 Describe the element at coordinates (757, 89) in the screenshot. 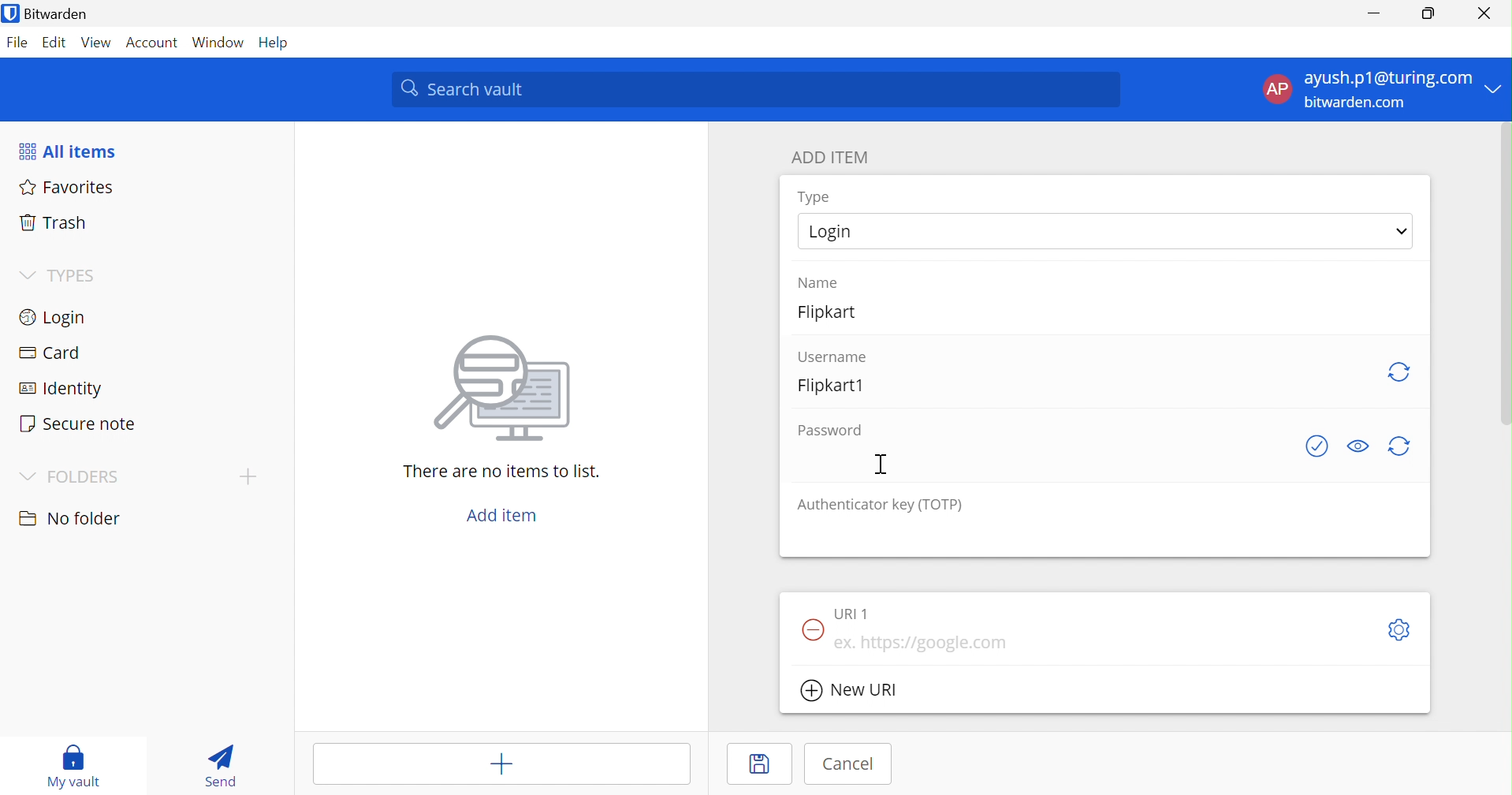

I see `Search Vault` at that location.